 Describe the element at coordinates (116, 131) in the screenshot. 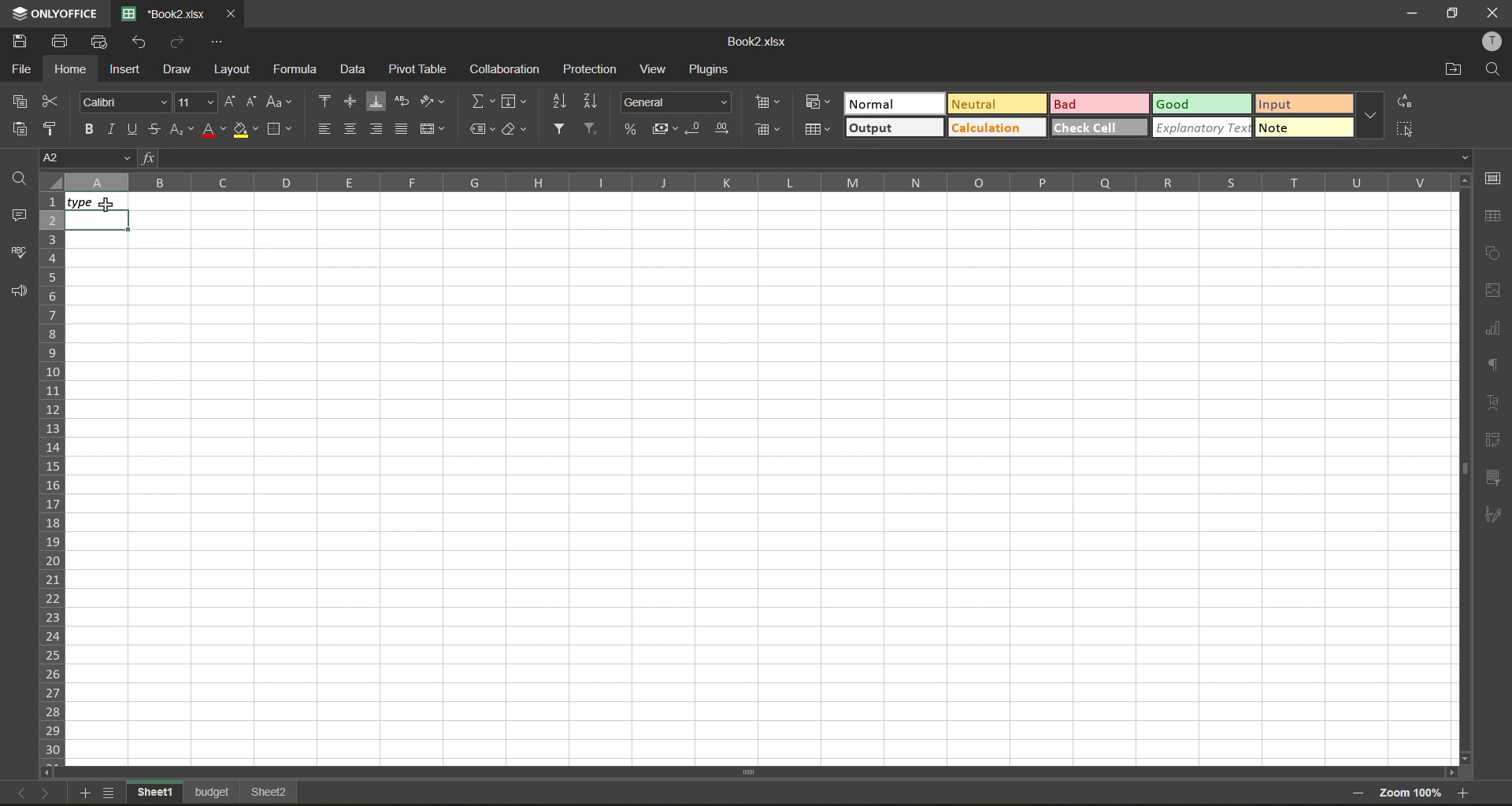

I see `italic` at that location.